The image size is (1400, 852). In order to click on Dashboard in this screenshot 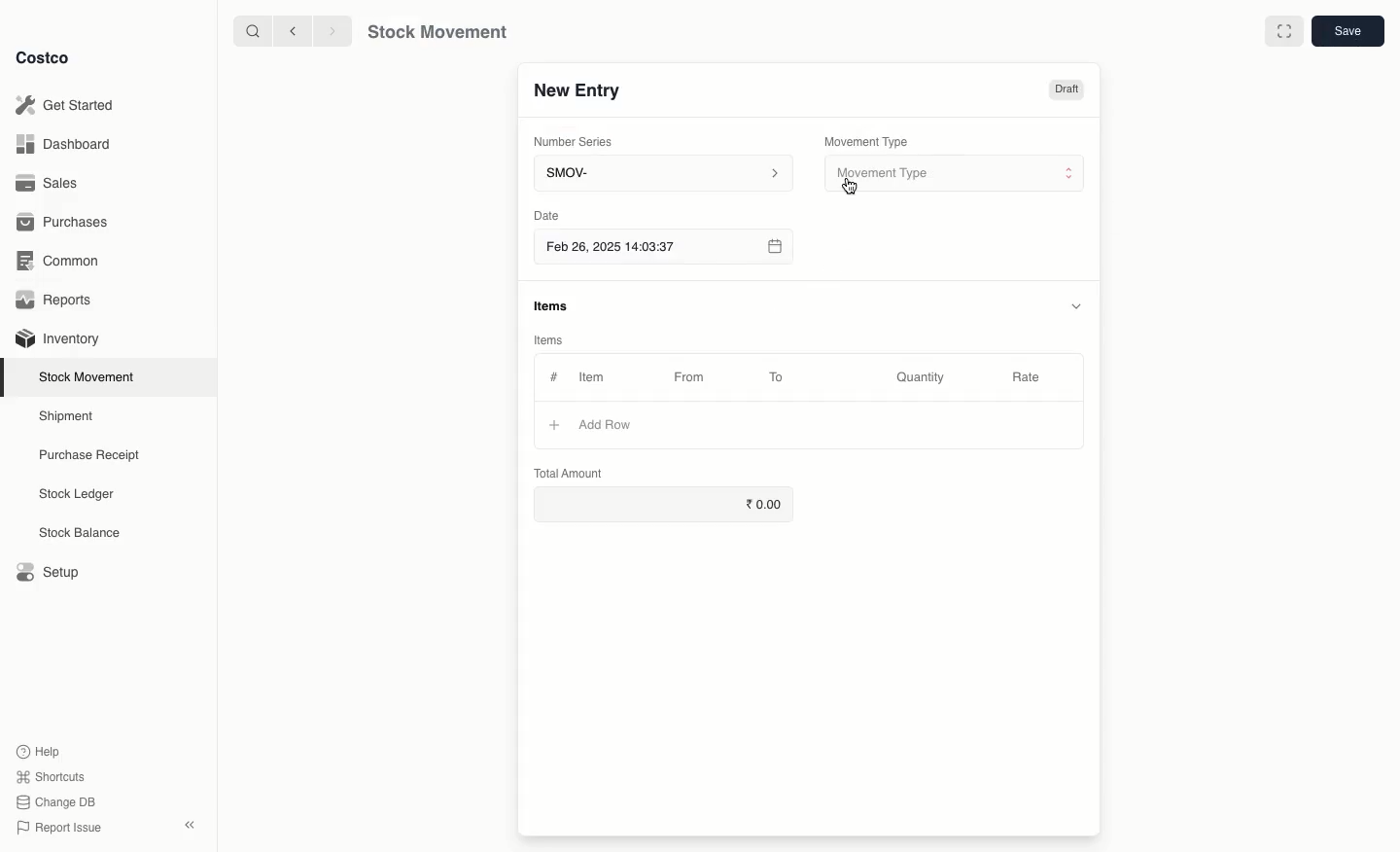, I will do `click(65, 146)`.